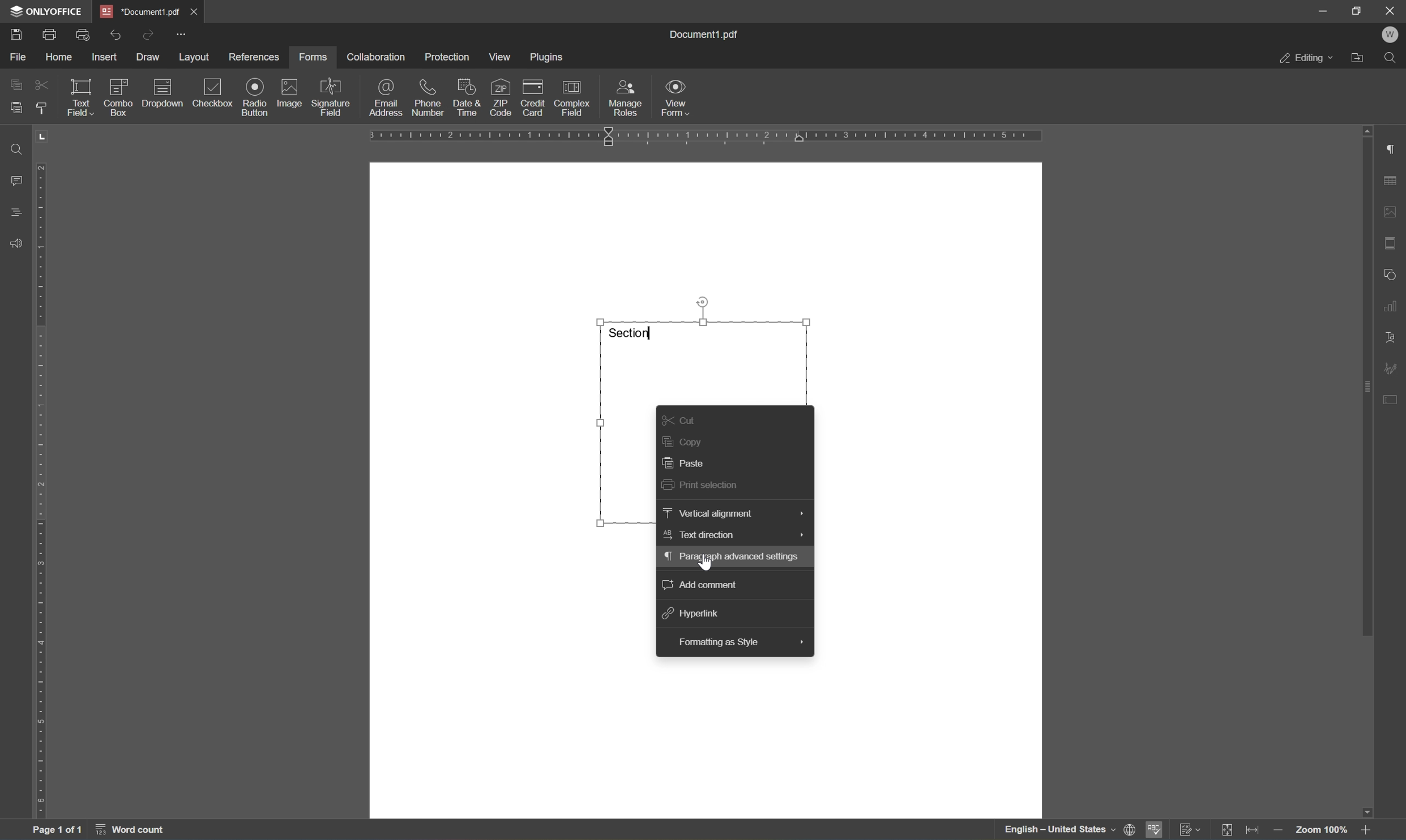  I want to click on Find, so click(1394, 61).